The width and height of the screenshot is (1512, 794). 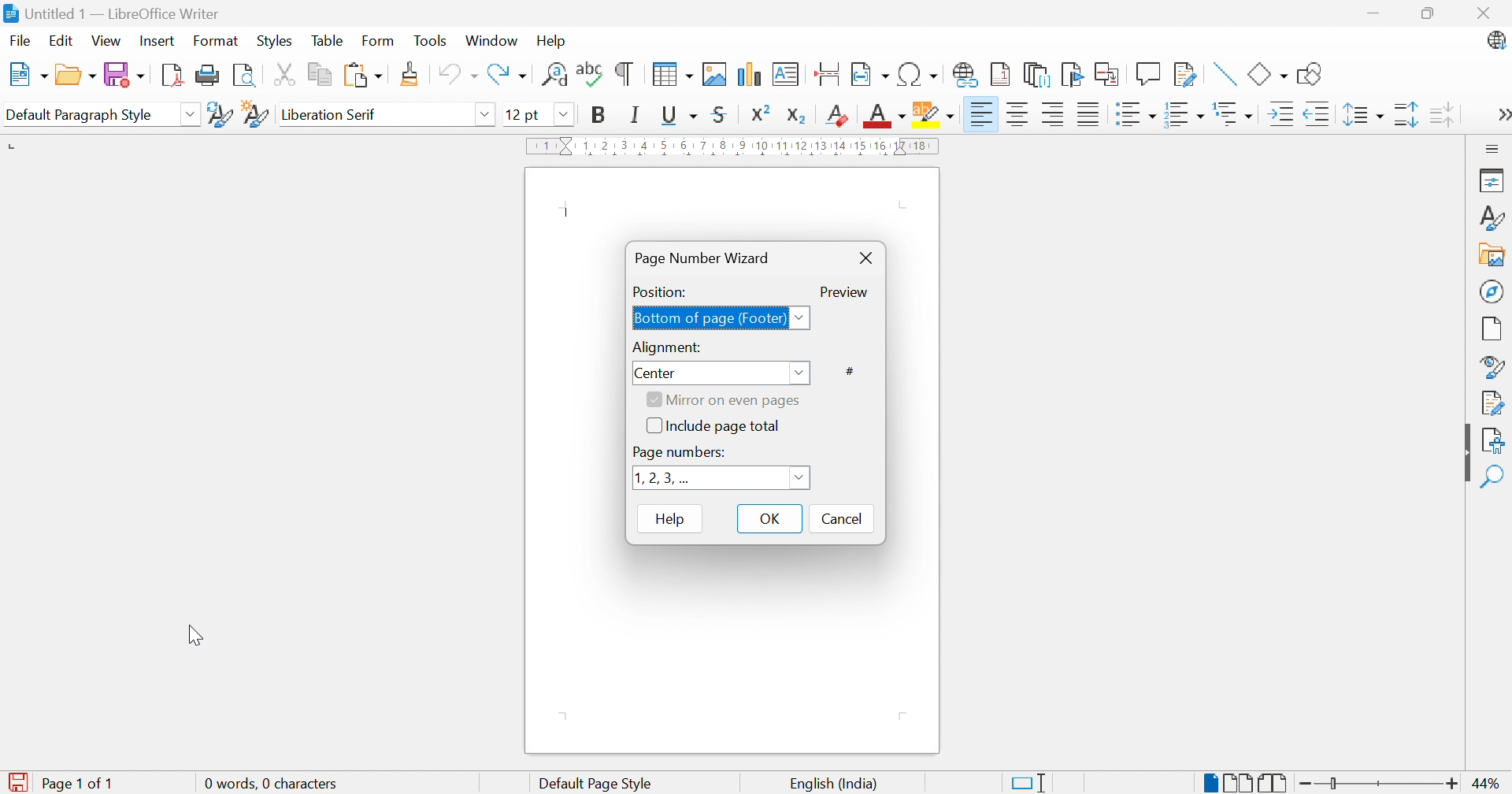 What do you see at coordinates (328, 114) in the screenshot?
I see `Liberation serif` at bounding box center [328, 114].